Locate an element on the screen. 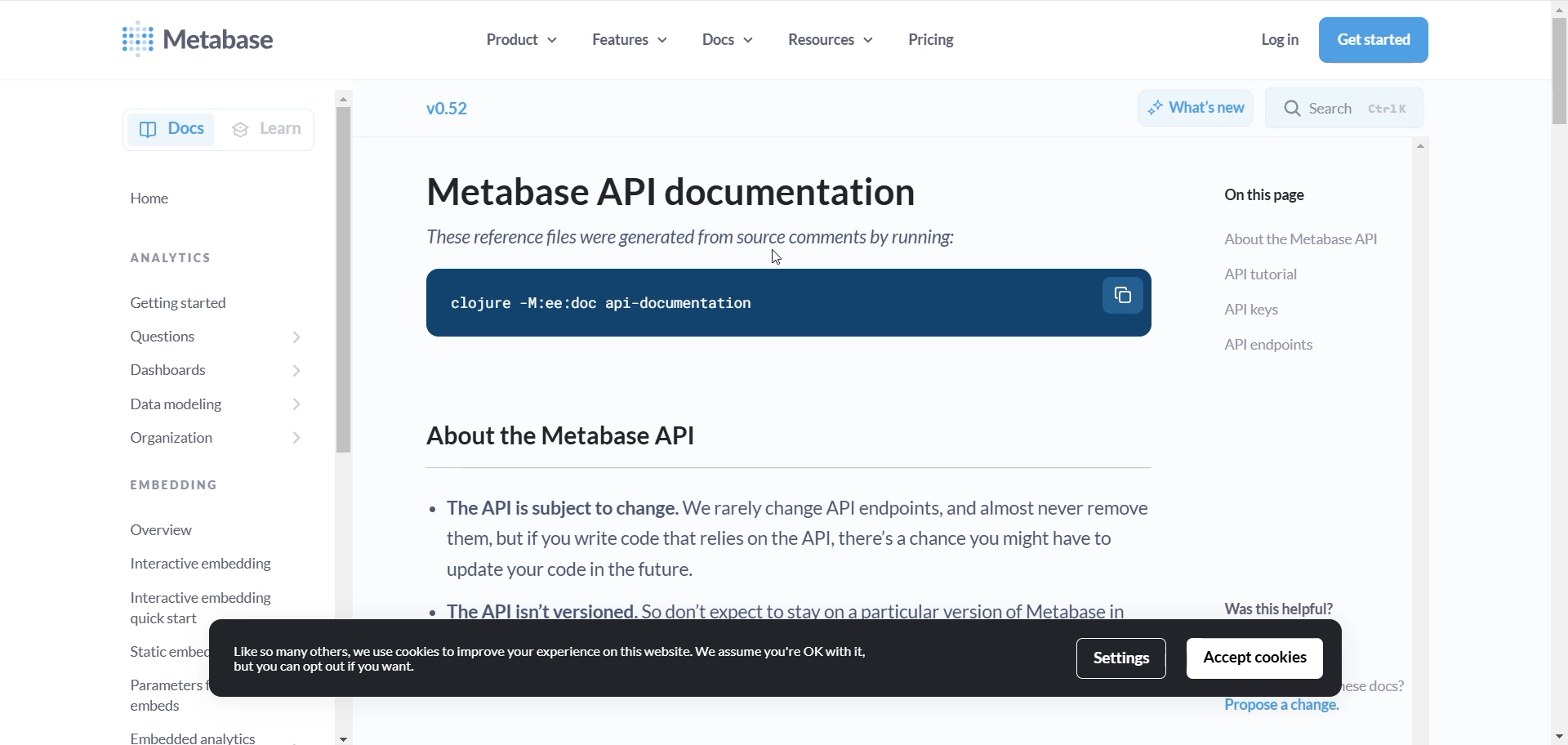 The width and height of the screenshot is (1568, 745). resources is located at coordinates (837, 46).